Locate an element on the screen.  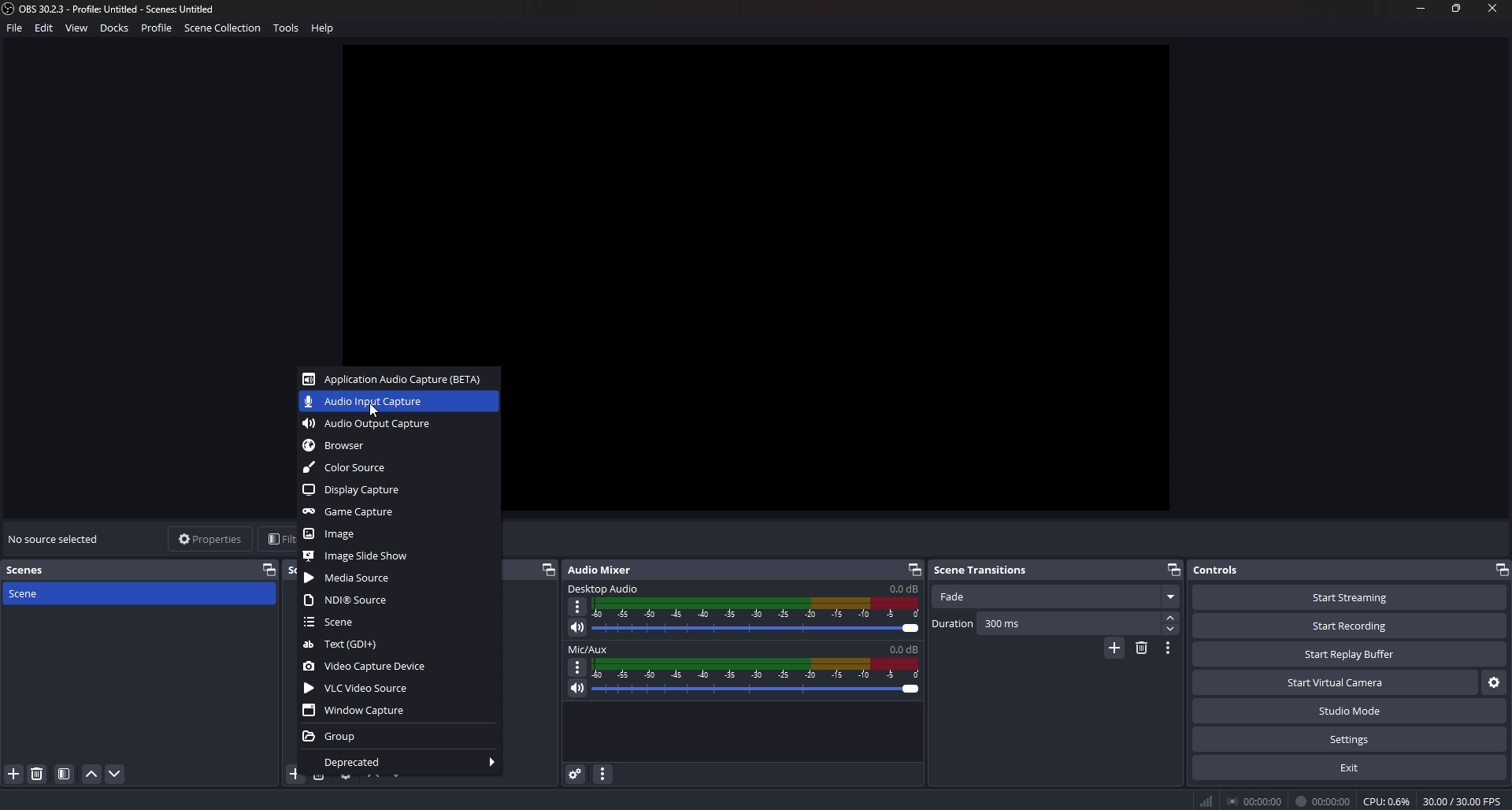
volume level is located at coordinates (903, 588).